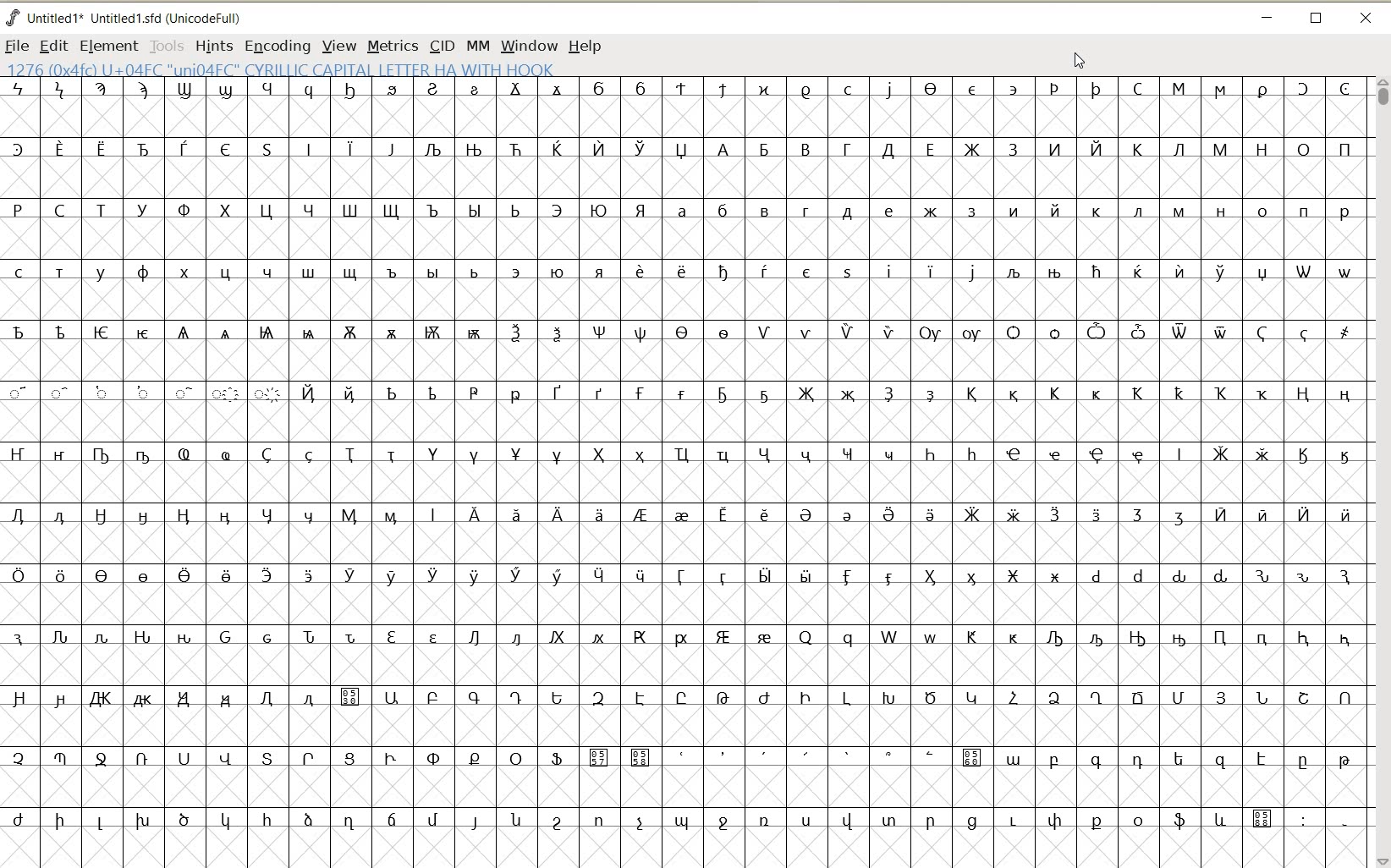 The height and width of the screenshot is (868, 1391). Describe the element at coordinates (477, 45) in the screenshot. I see `MM` at that location.